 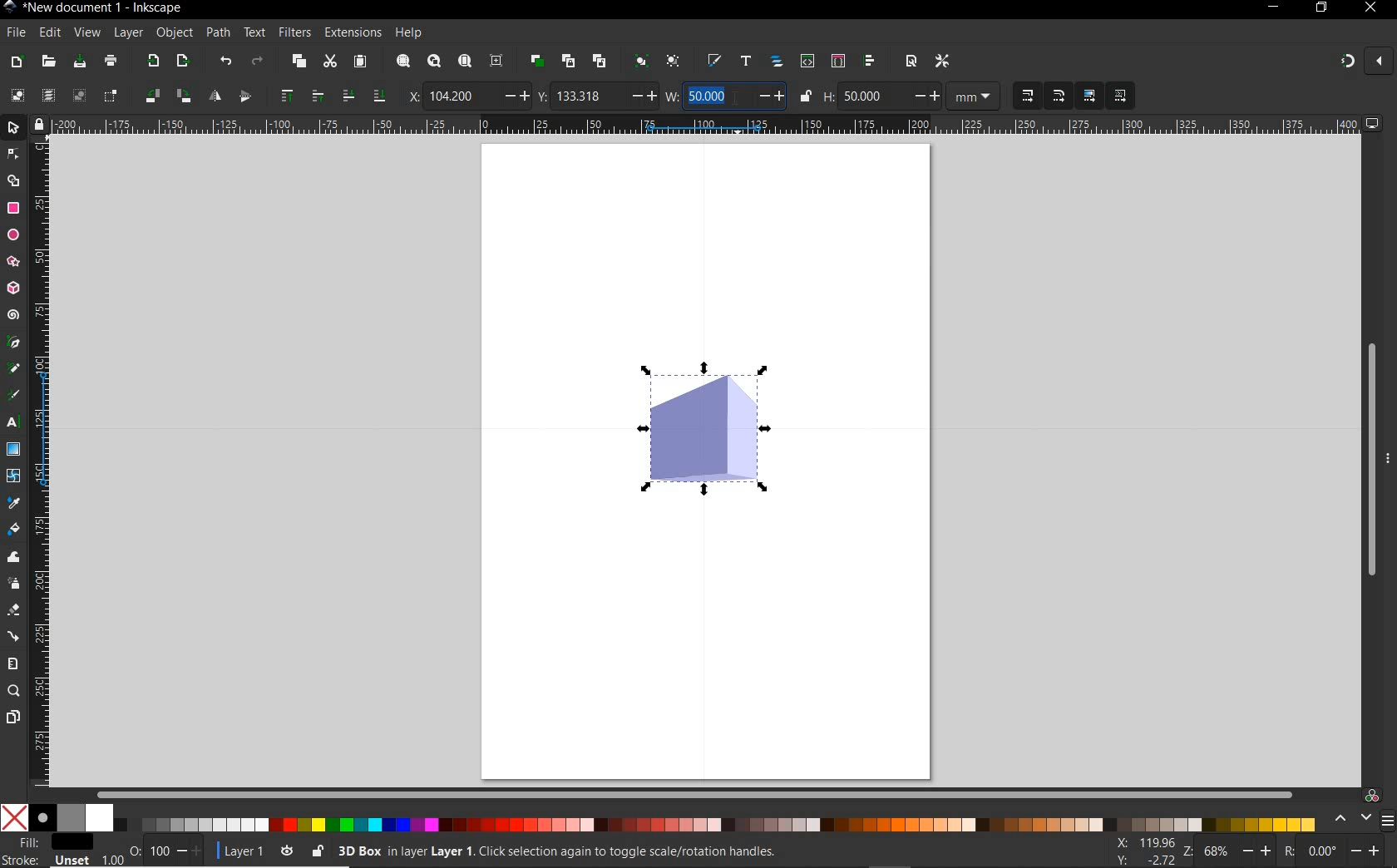 What do you see at coordinates (1027, 96) in the screenshot?
I see `when scaling` at bounding box center [1027, 96].